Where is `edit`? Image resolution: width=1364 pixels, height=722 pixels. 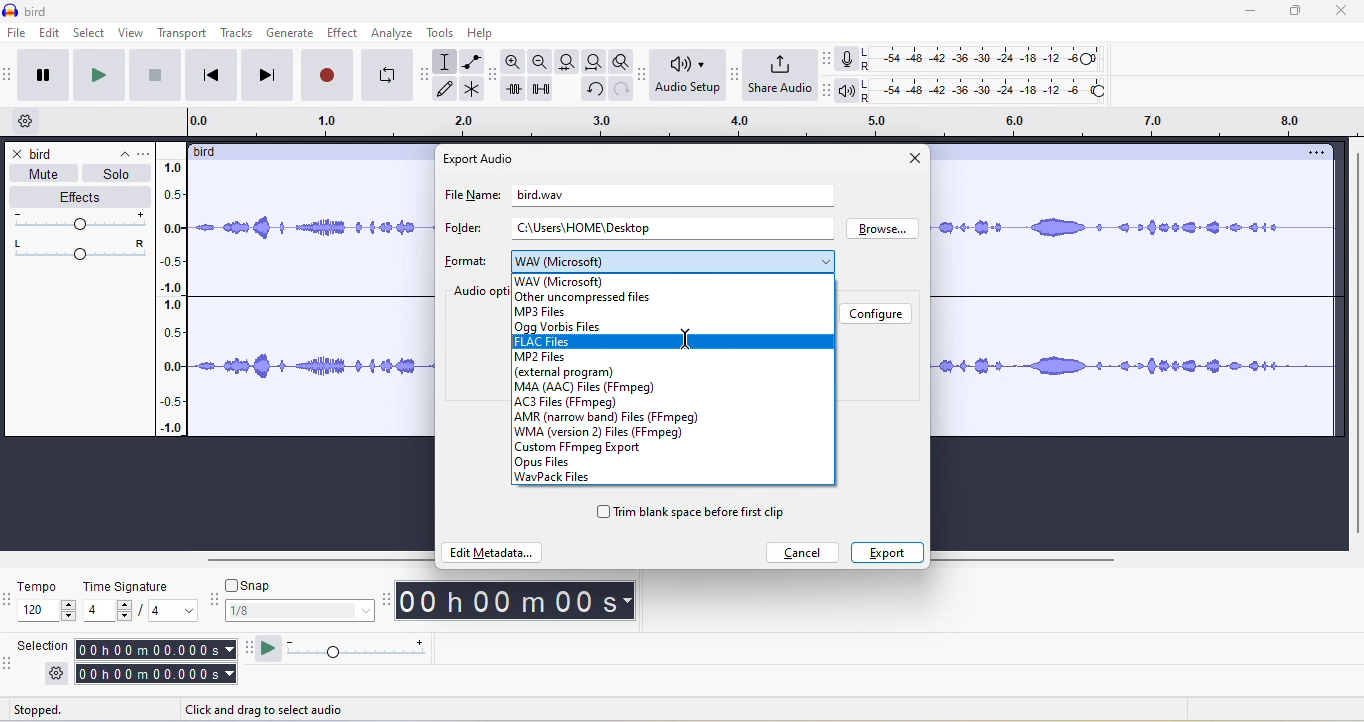
edit is located at coordinates (51, 34).